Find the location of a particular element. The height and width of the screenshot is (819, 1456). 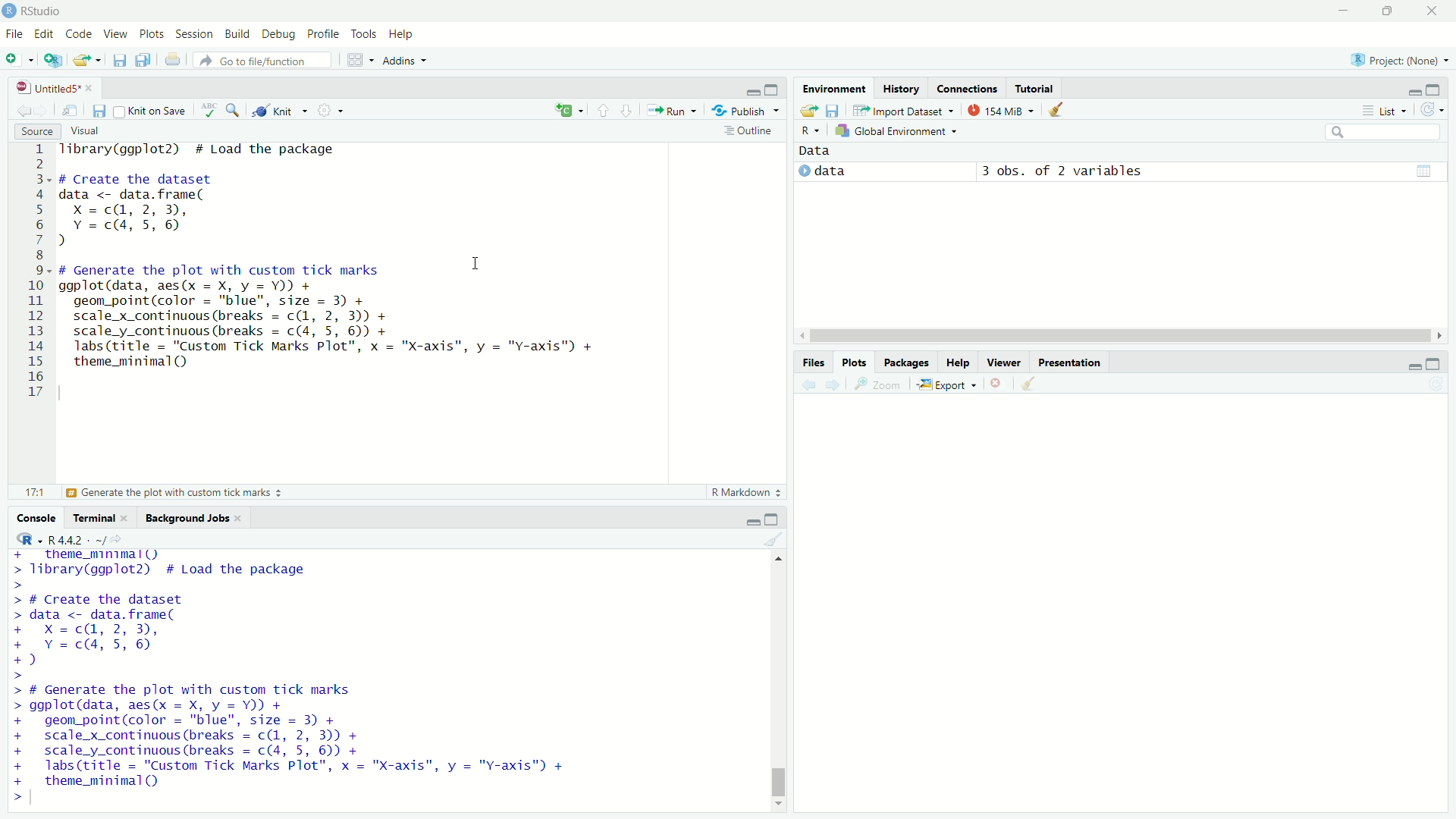

view a larger version of the plot in new window  is located at coordinates (878, 385).